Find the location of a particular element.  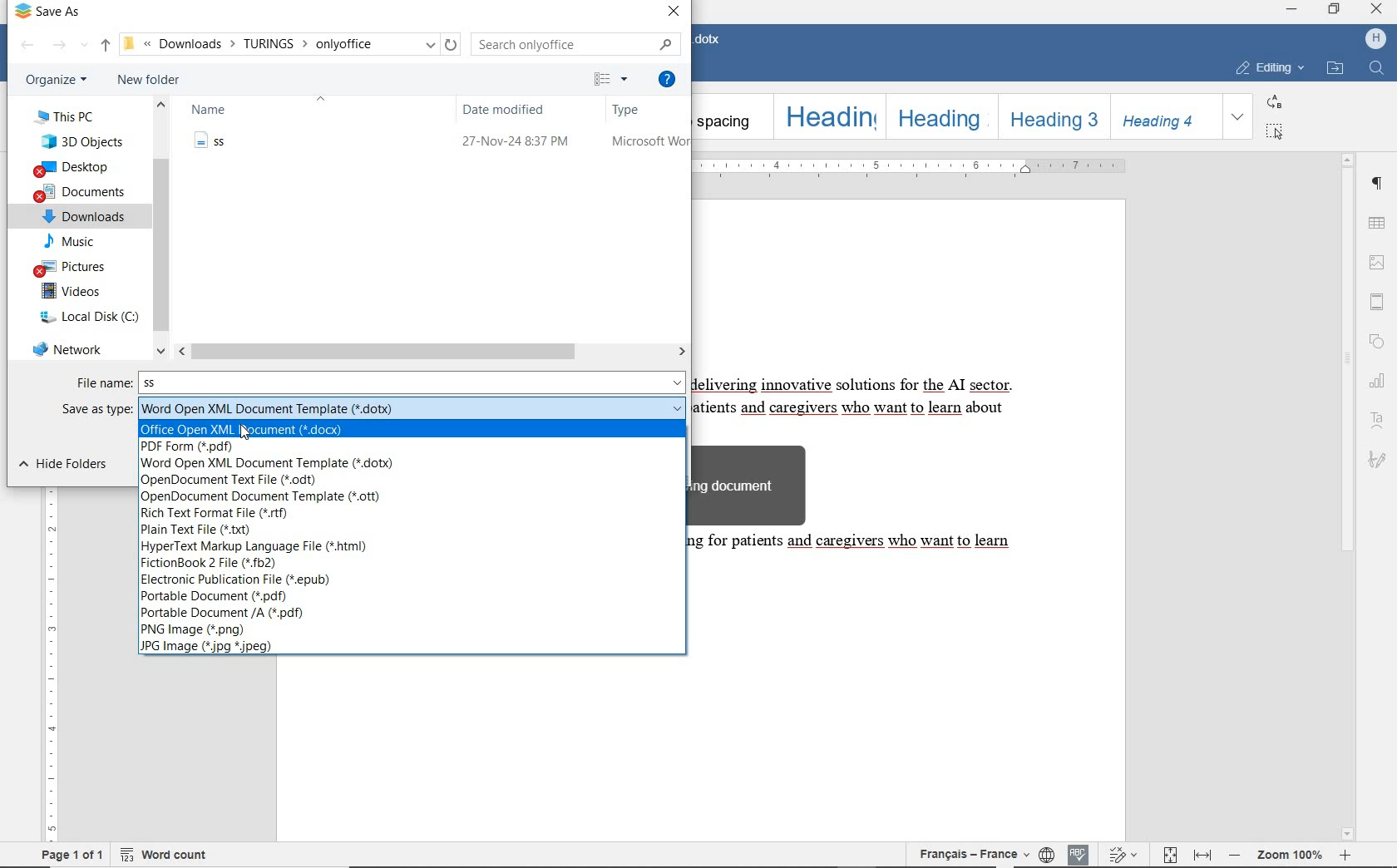

DOCX is located at coordinates (258, 428).